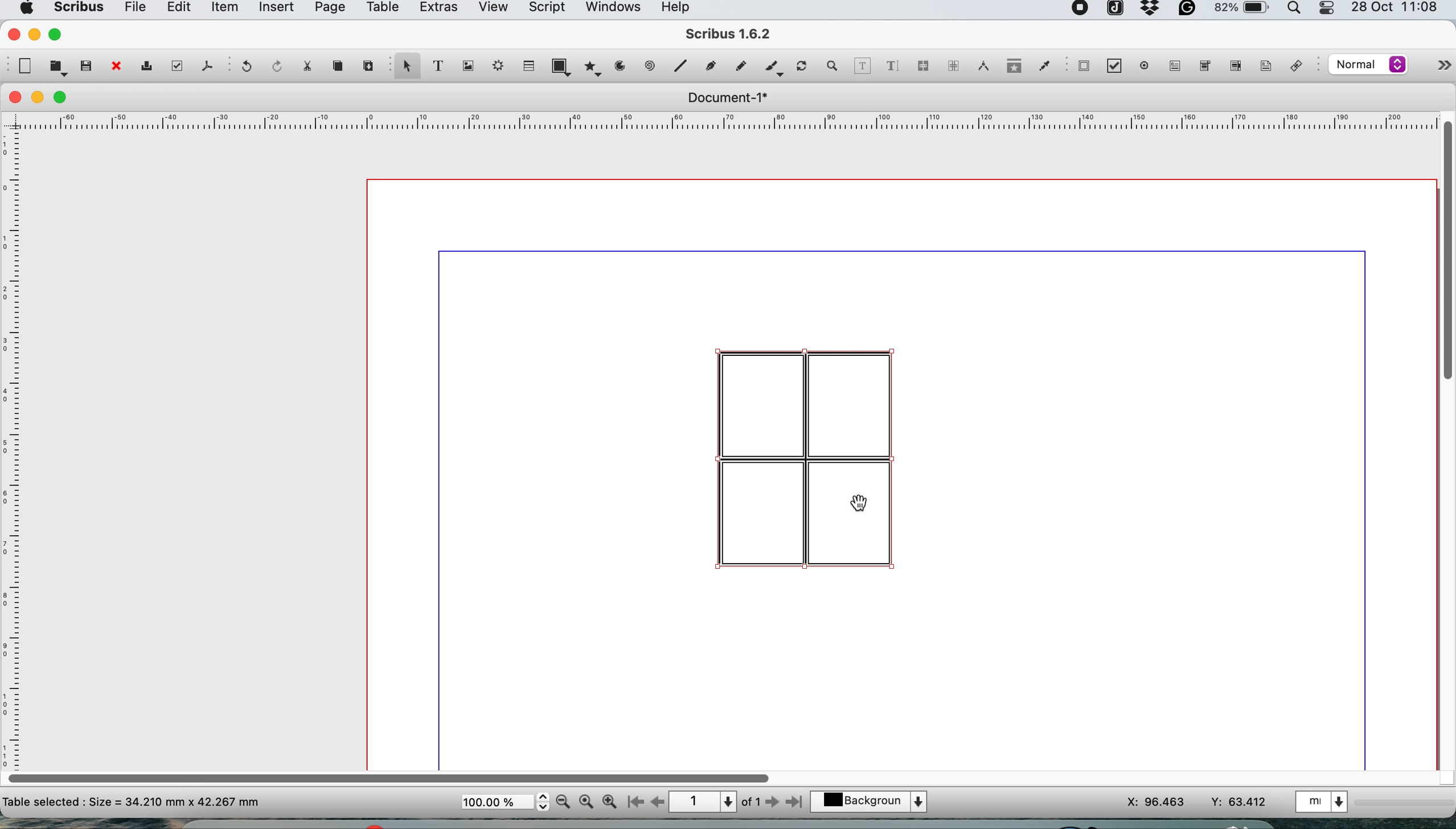 The width and height of the screenshot is (1456, 829). What do you see at coordinates (23, 66) in the screenshot?
I see `new` at bounding box center [23, 66].